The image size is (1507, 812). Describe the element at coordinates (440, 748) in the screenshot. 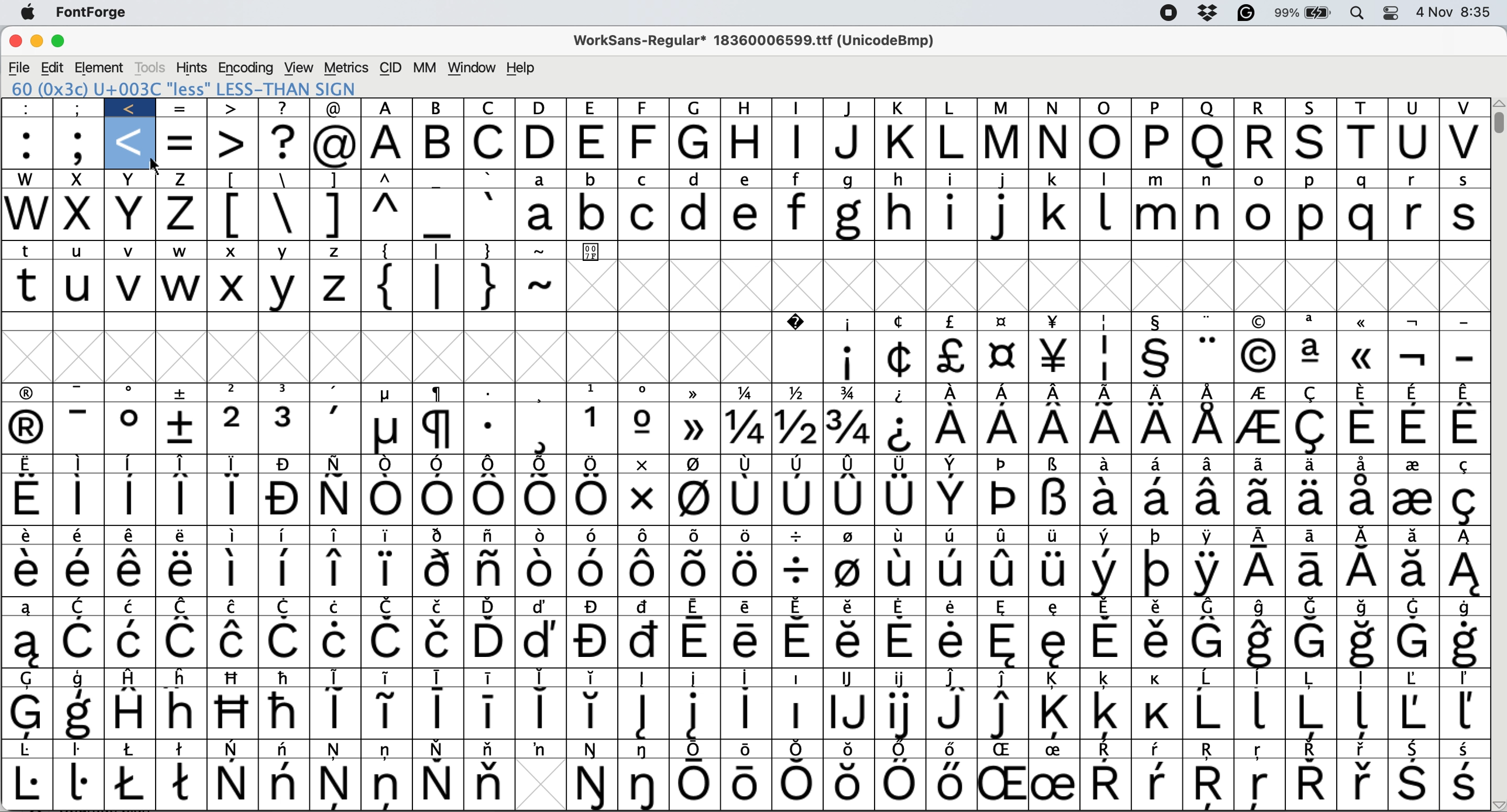

I see `Symbol` at that location.